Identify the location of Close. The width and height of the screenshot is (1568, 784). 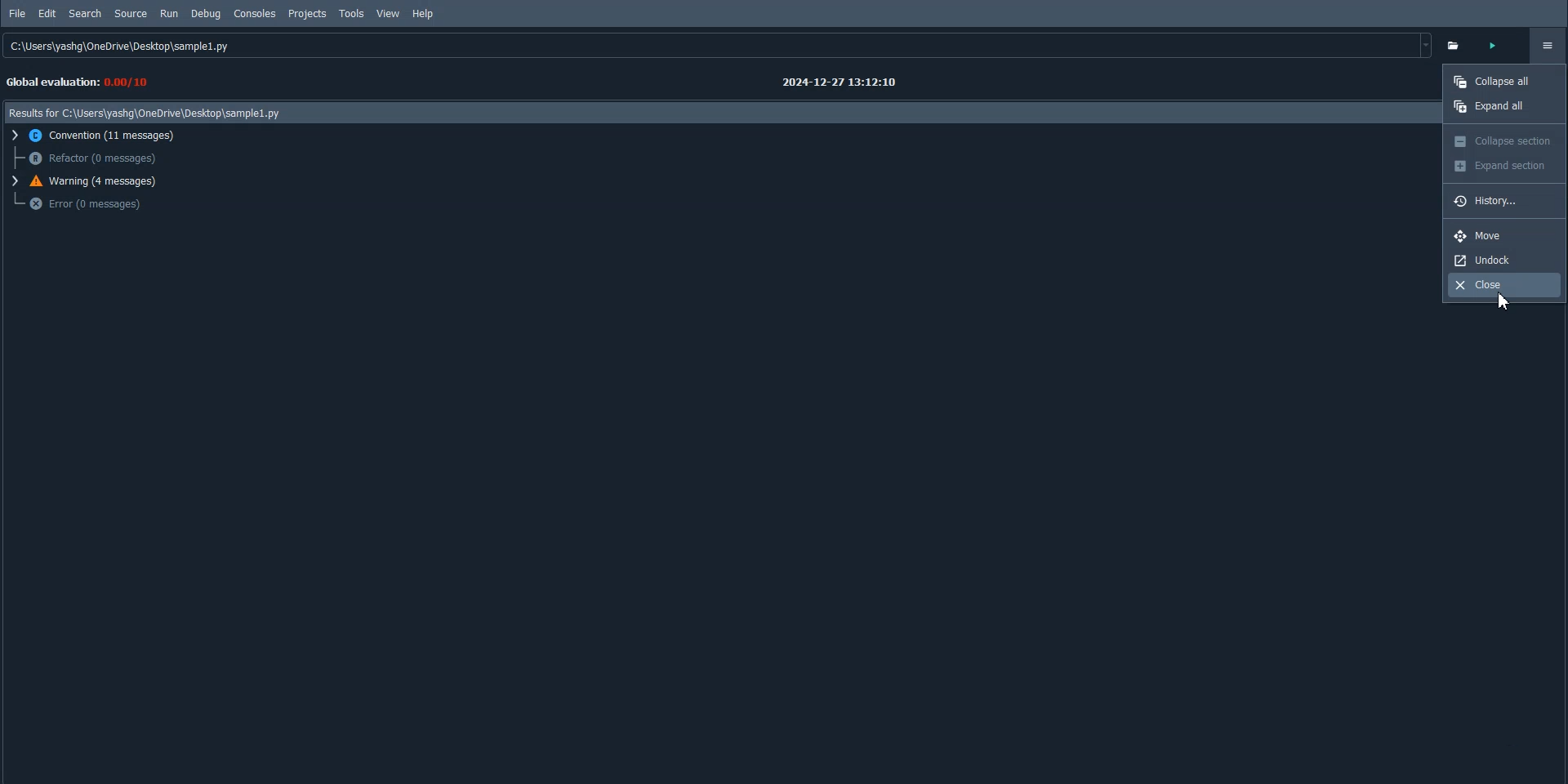
(1505, 284).